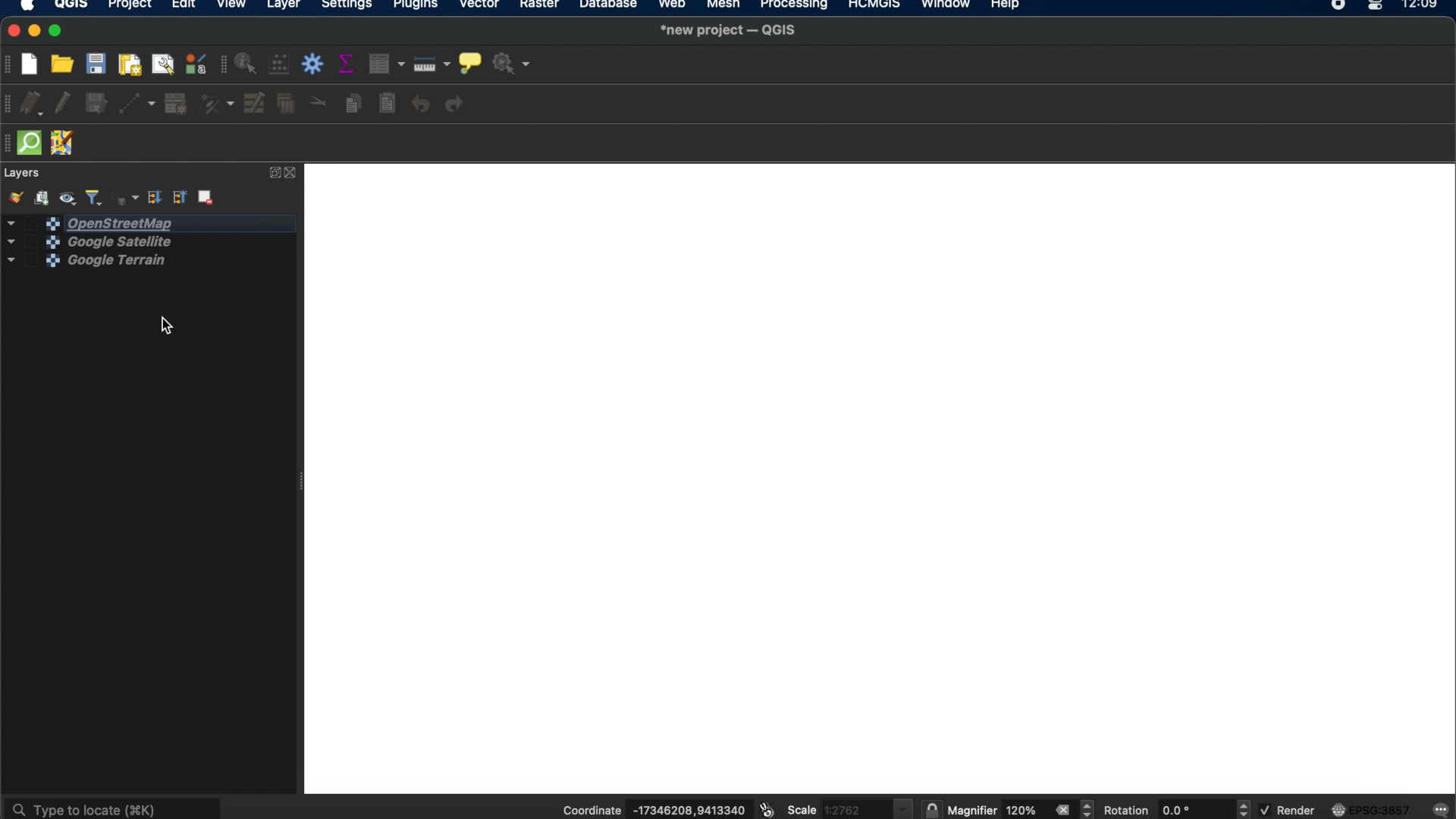  Describe the element at coordinates (175, 104) in the screenshot. I see `add record` at that location.